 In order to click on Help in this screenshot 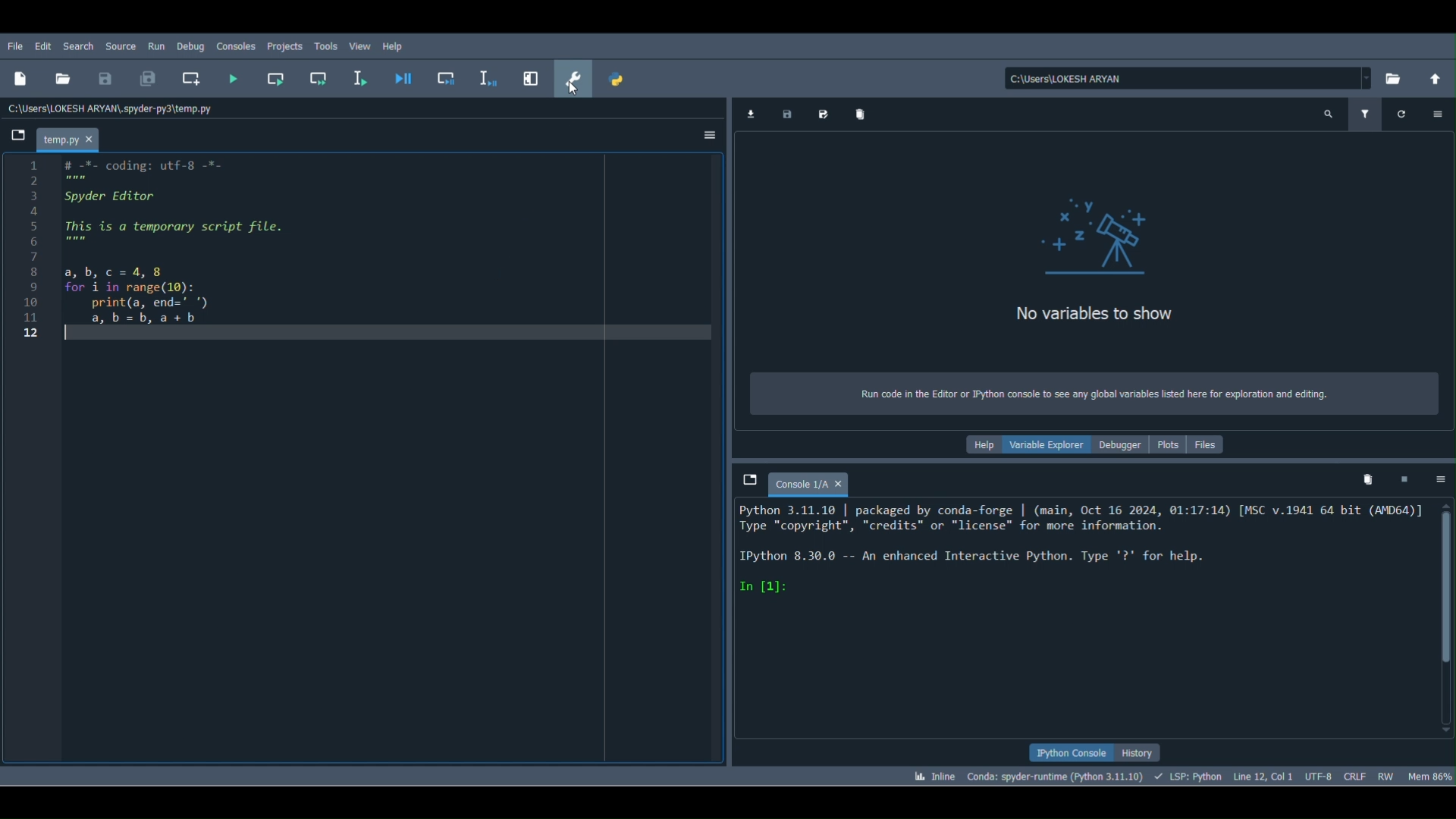, I will do `click(396, 48)`.